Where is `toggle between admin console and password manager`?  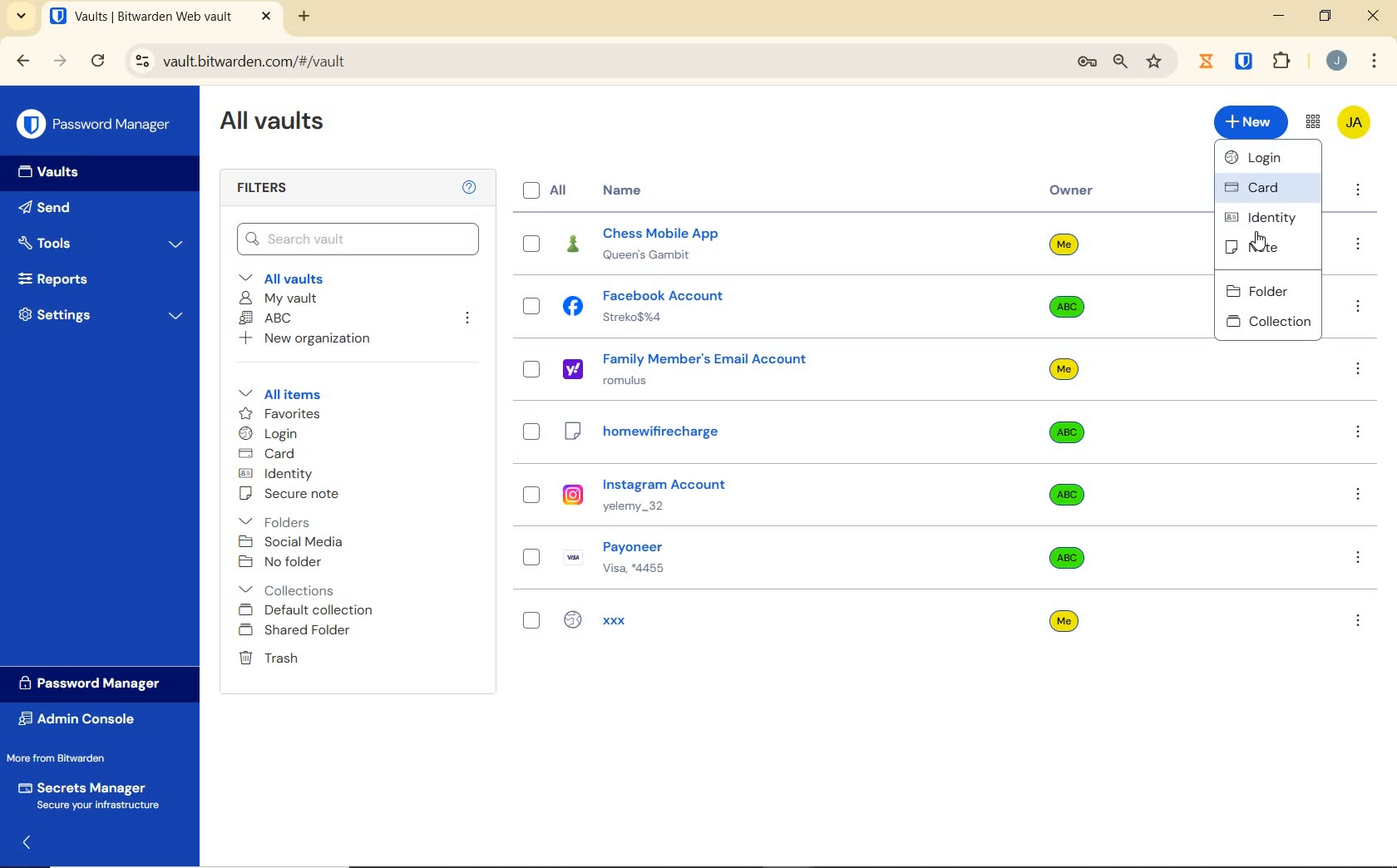 toggle between admin console and password manager is located at coordinates (1311, 122).